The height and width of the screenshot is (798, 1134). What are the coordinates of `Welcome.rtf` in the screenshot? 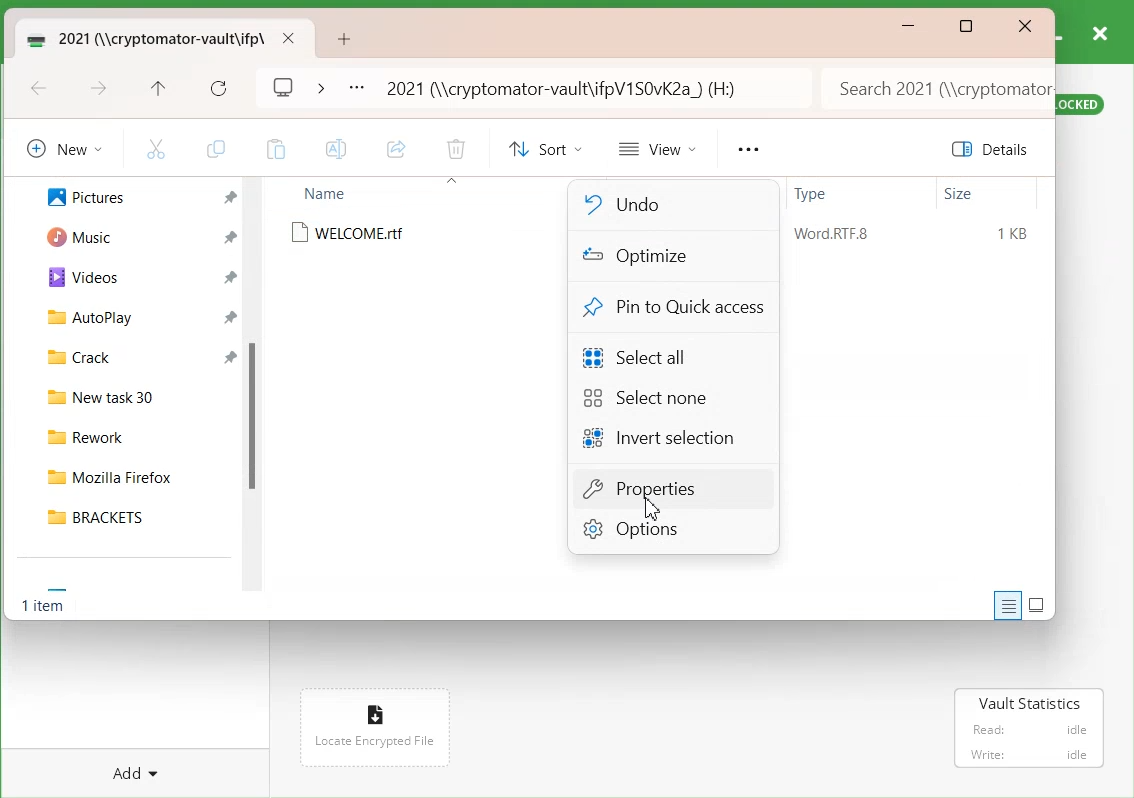 It's located at (353, 233).